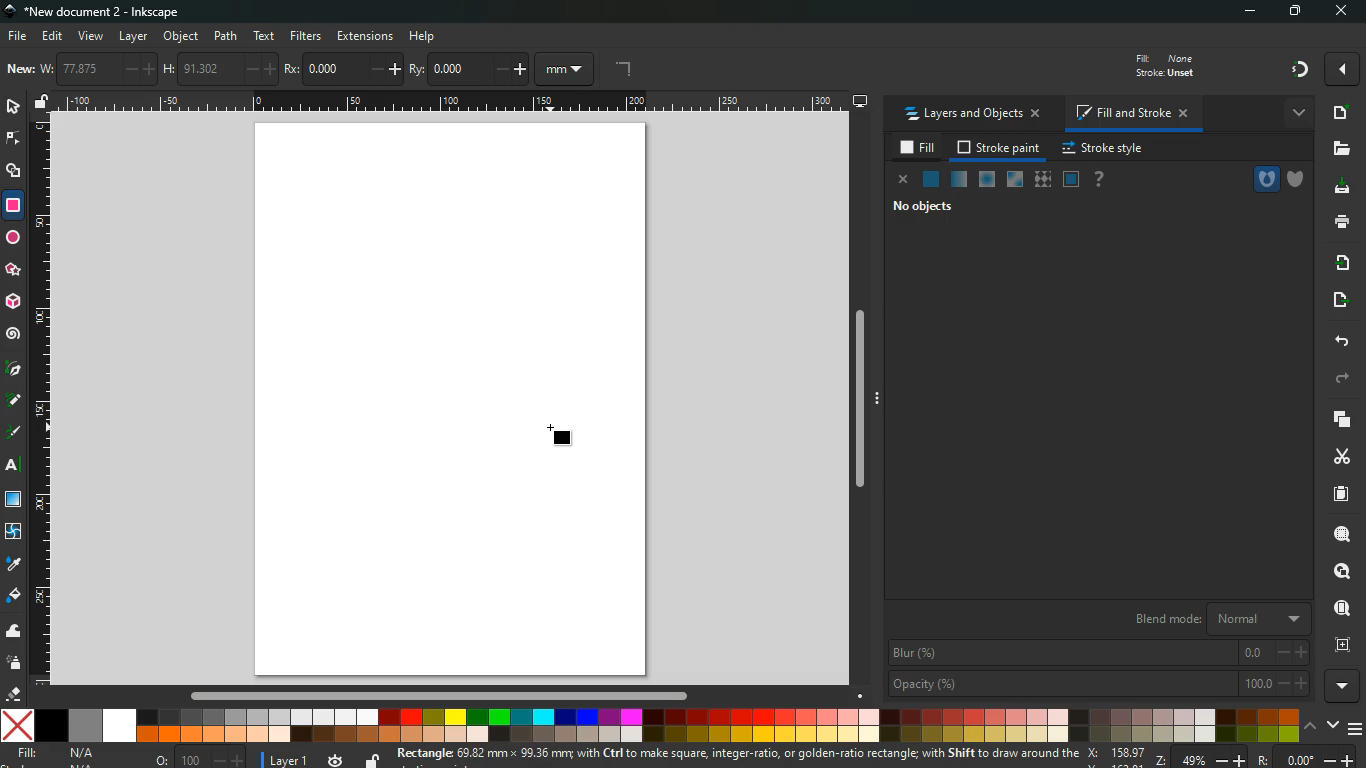 Image resolution: width=1366 pixels, height=768 pixels. I want to click on close, so click(901, 181).